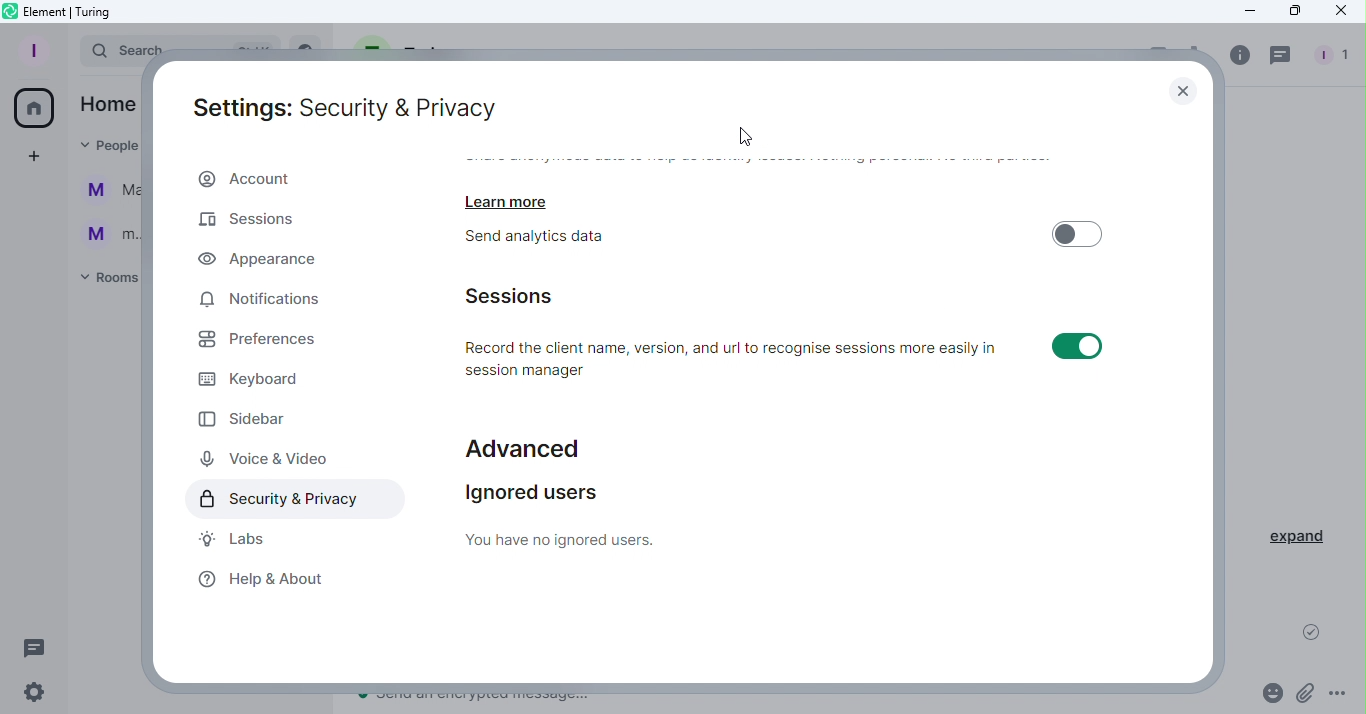 The width and height of the screenshot is (1366, 714). Describe the element at coordinates (1074, 346) in the screenshot. I see `Toggle` at that location.